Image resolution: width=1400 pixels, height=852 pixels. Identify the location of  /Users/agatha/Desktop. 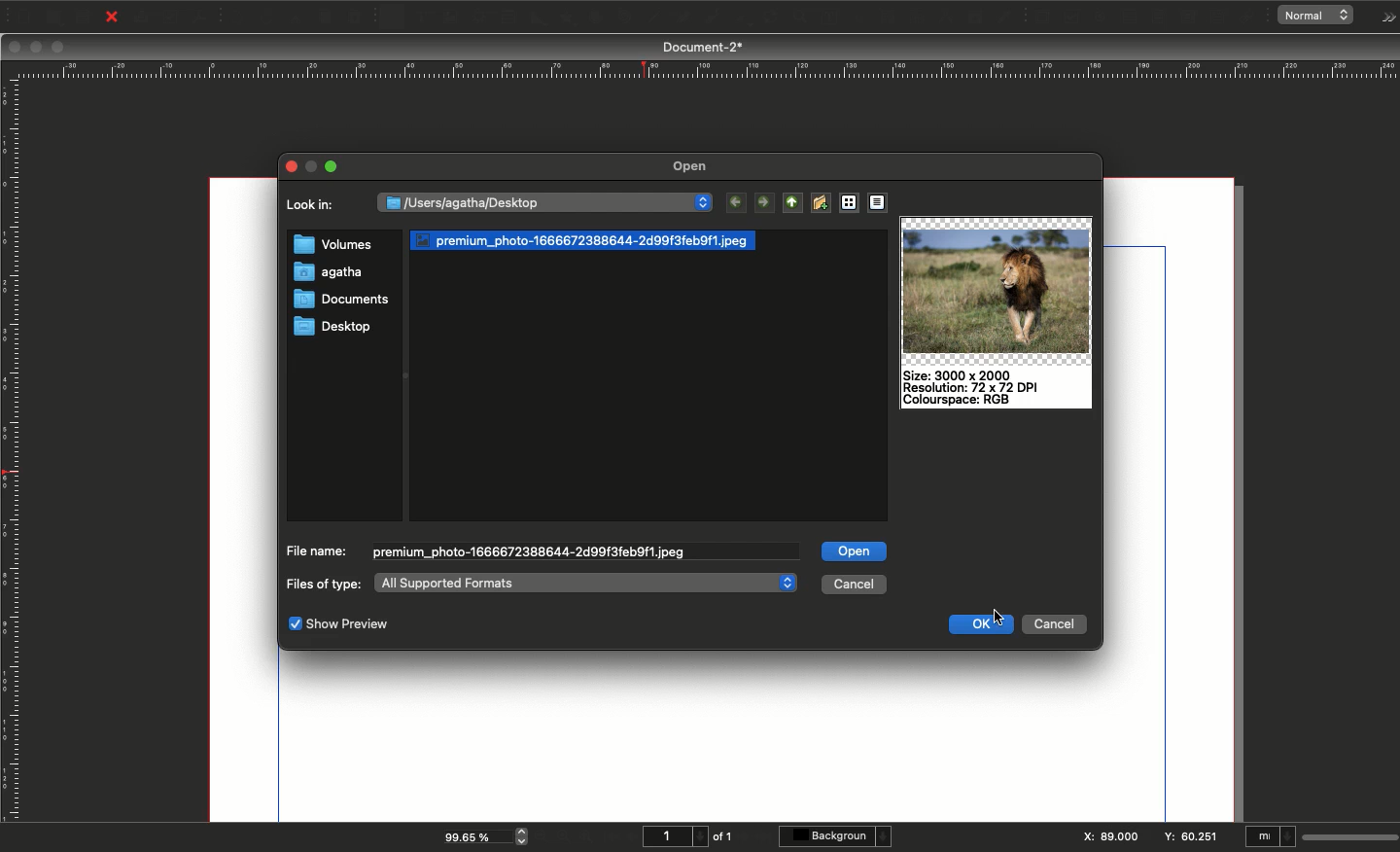
(545, 201).